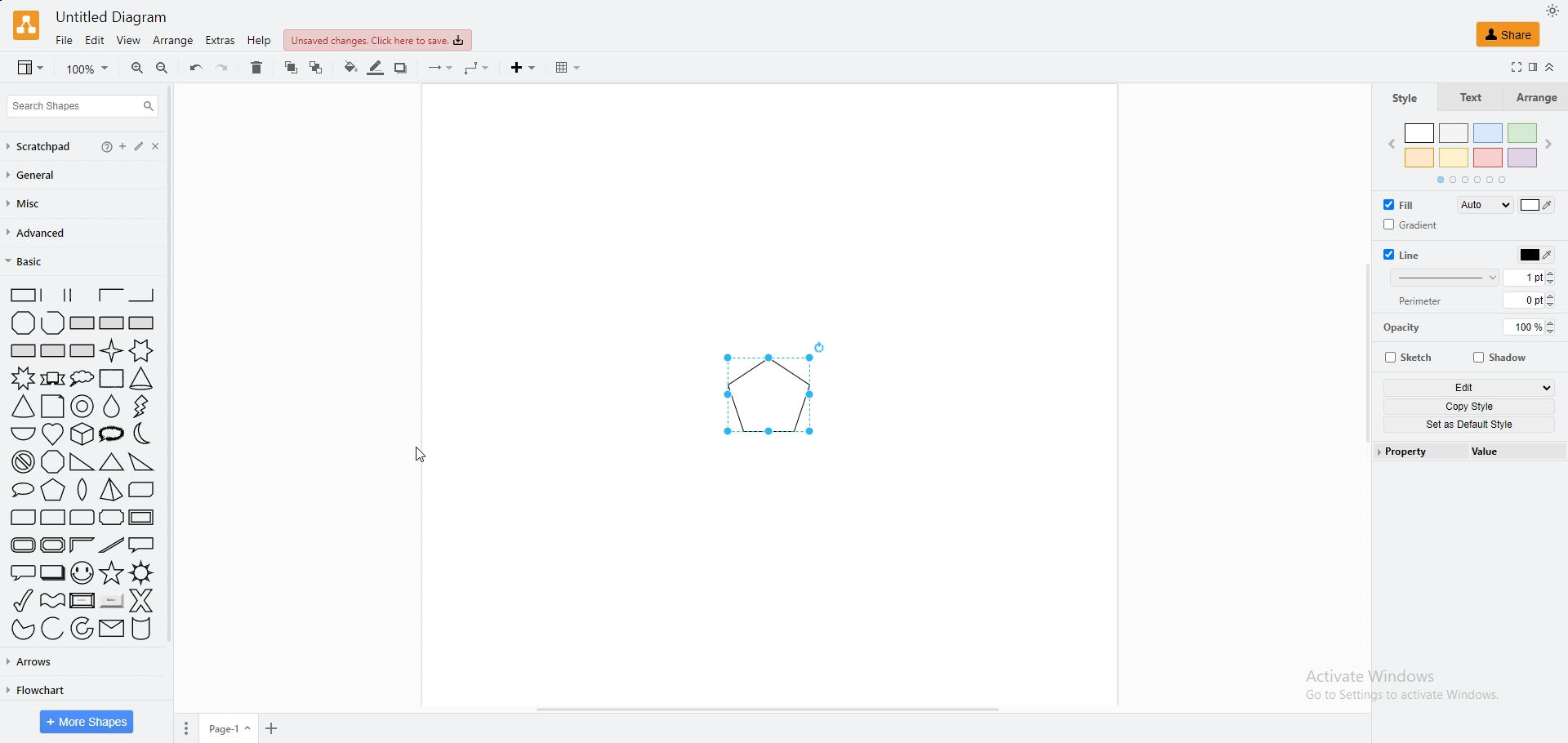 This screenshot has width=1568, height=743. I want to click on yellow, so click(1455, 158).